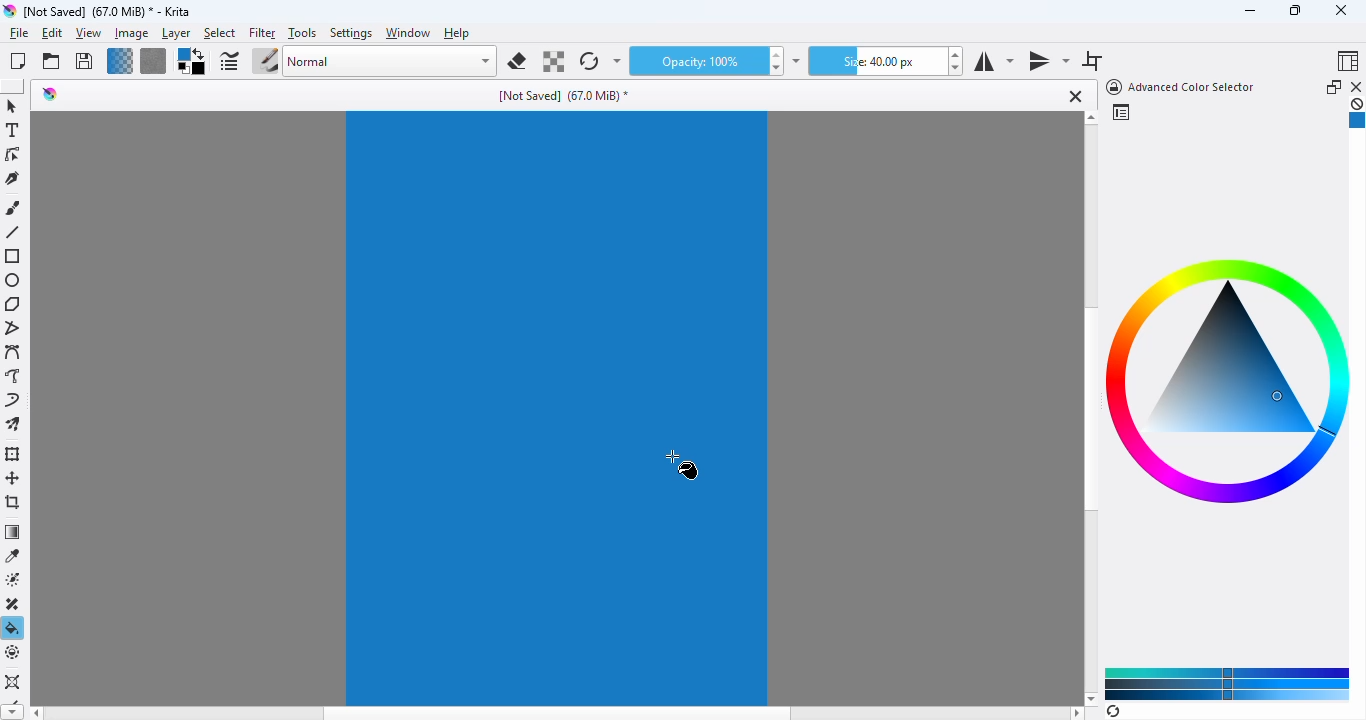 The image size is (1366, 720). Describe the element at coordinates (13, 130) in the screenshot. I see `text tool` at that location.